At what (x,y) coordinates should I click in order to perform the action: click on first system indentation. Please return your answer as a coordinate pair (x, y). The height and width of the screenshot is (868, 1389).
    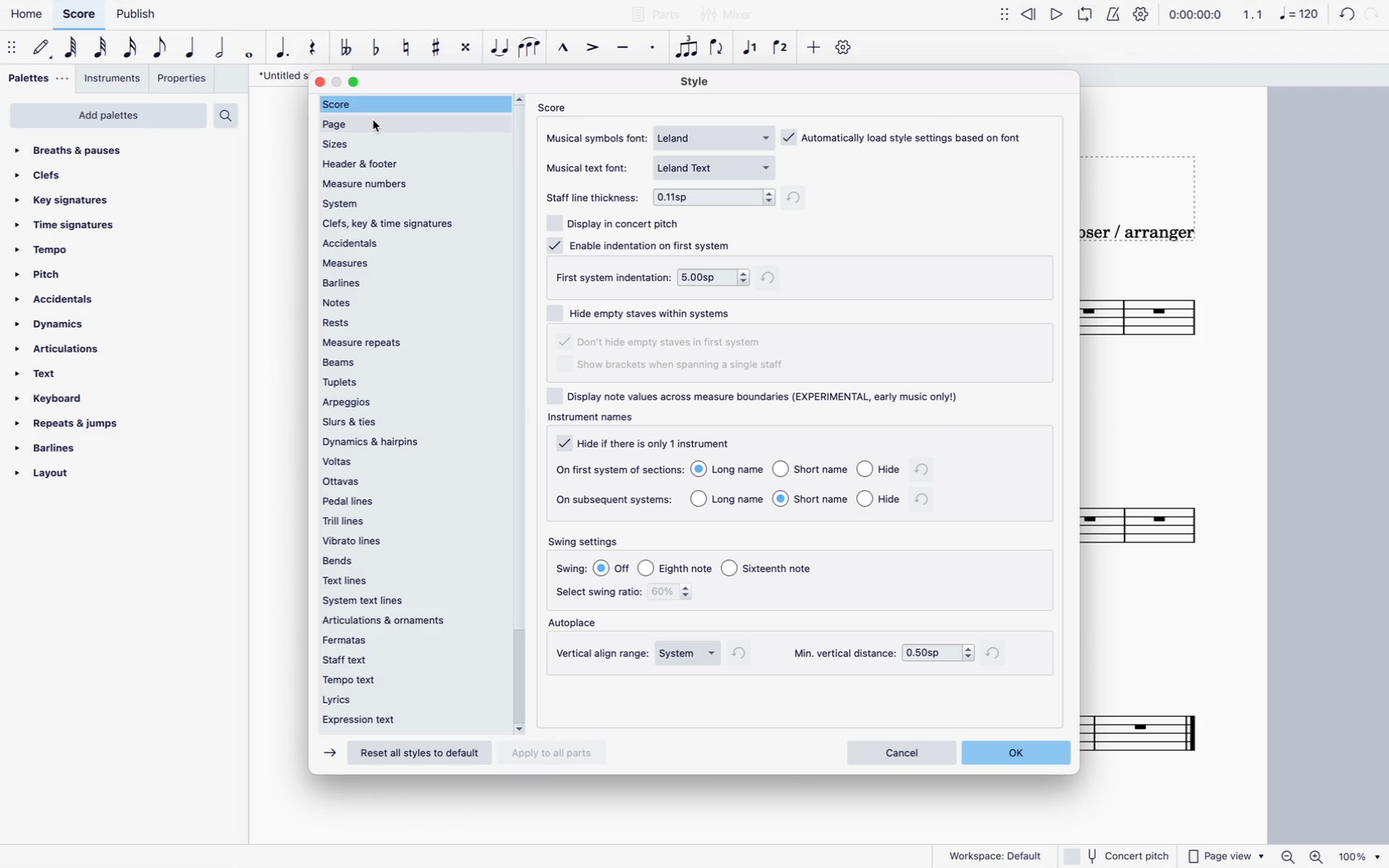
    Looking at the image, I should click on (613, 279).